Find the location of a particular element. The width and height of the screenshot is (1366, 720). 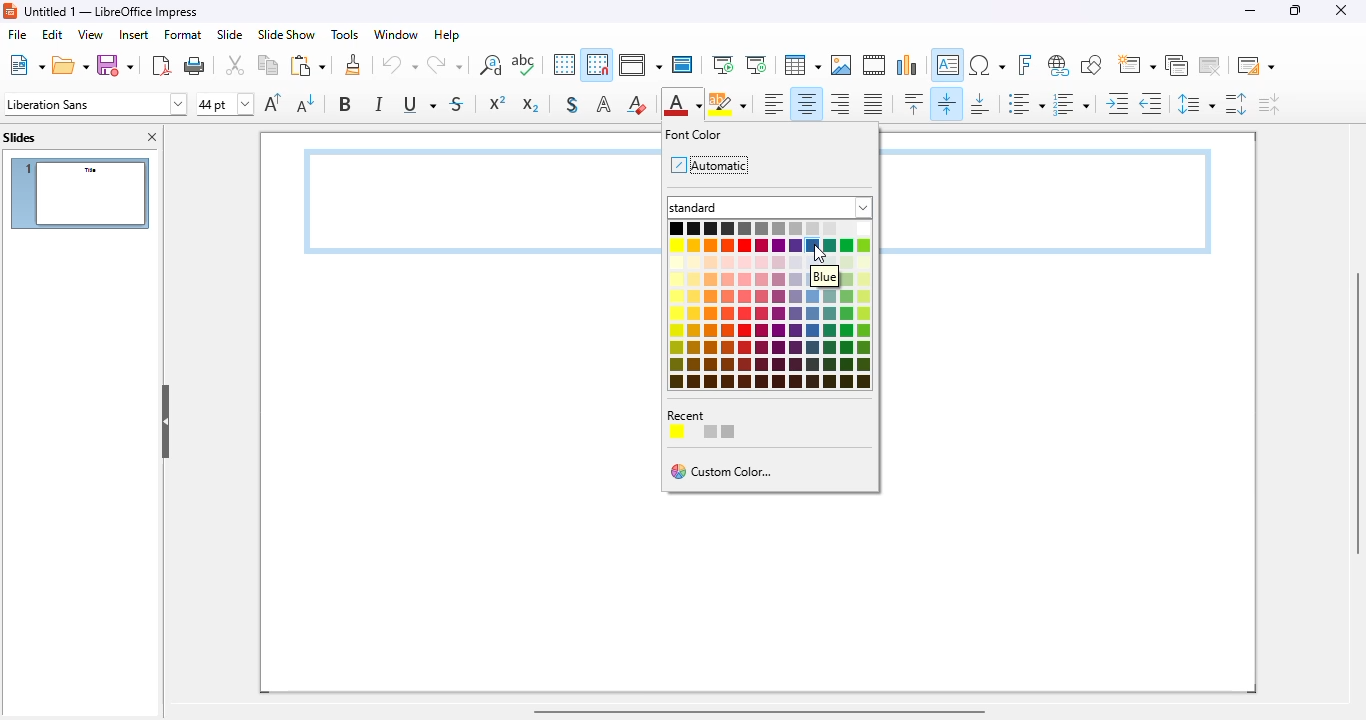

duplicate slide is located at coordinates (1177, 65).